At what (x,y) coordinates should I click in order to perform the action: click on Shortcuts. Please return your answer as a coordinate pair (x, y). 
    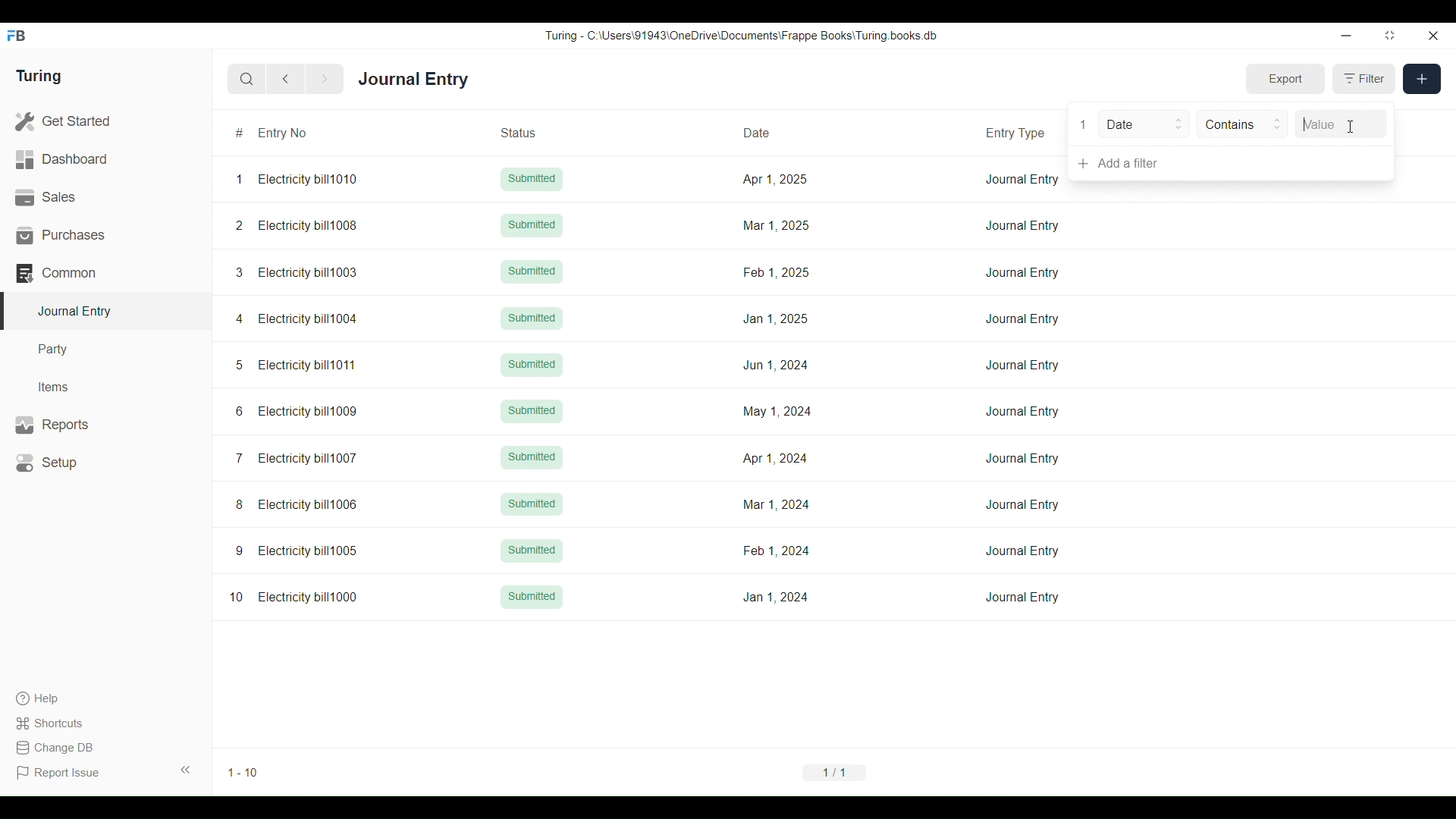
    Looking at the image, I should click on (58, 723).